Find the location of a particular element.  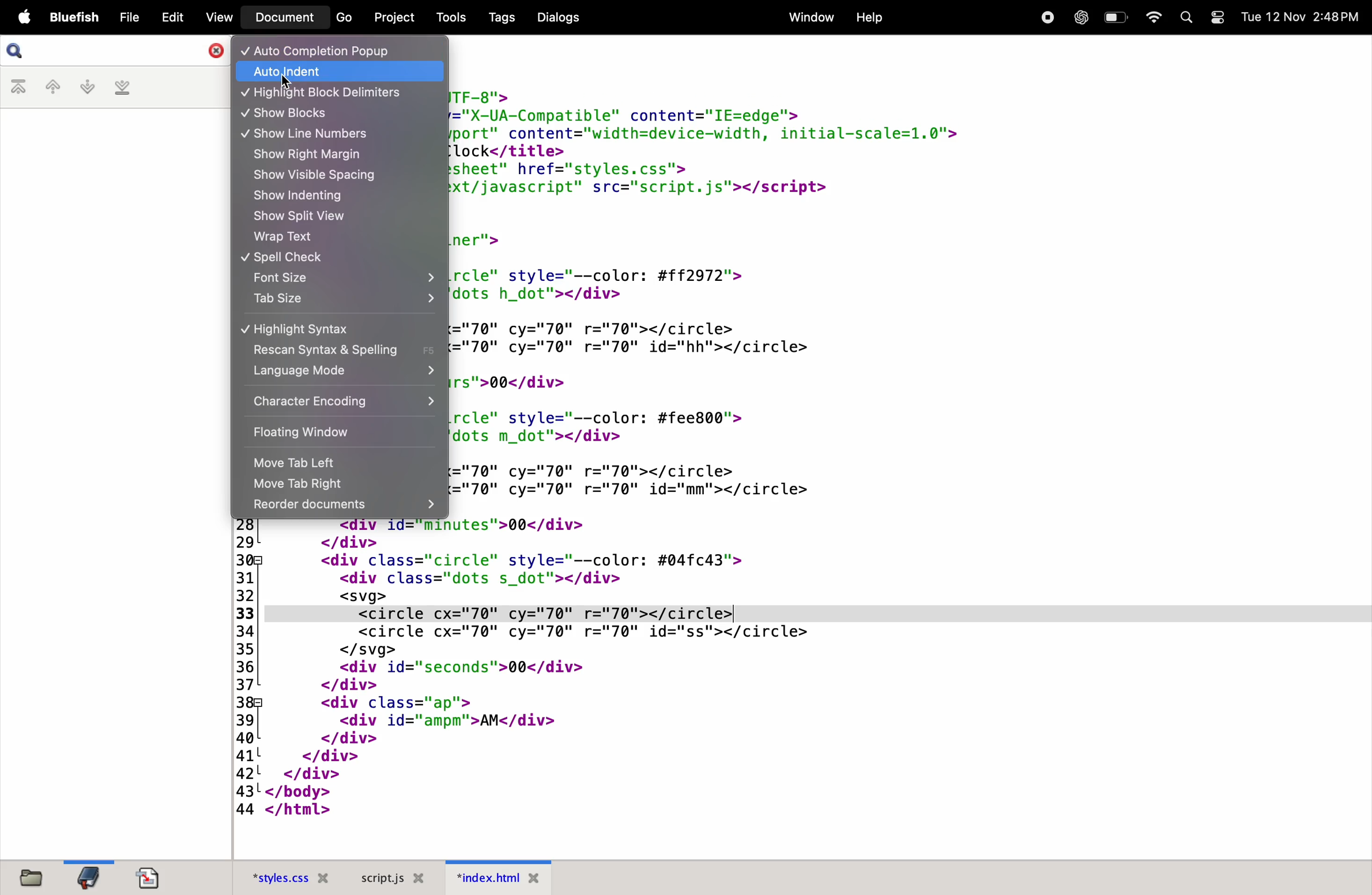

show split view is located at coordinates (338, 219).